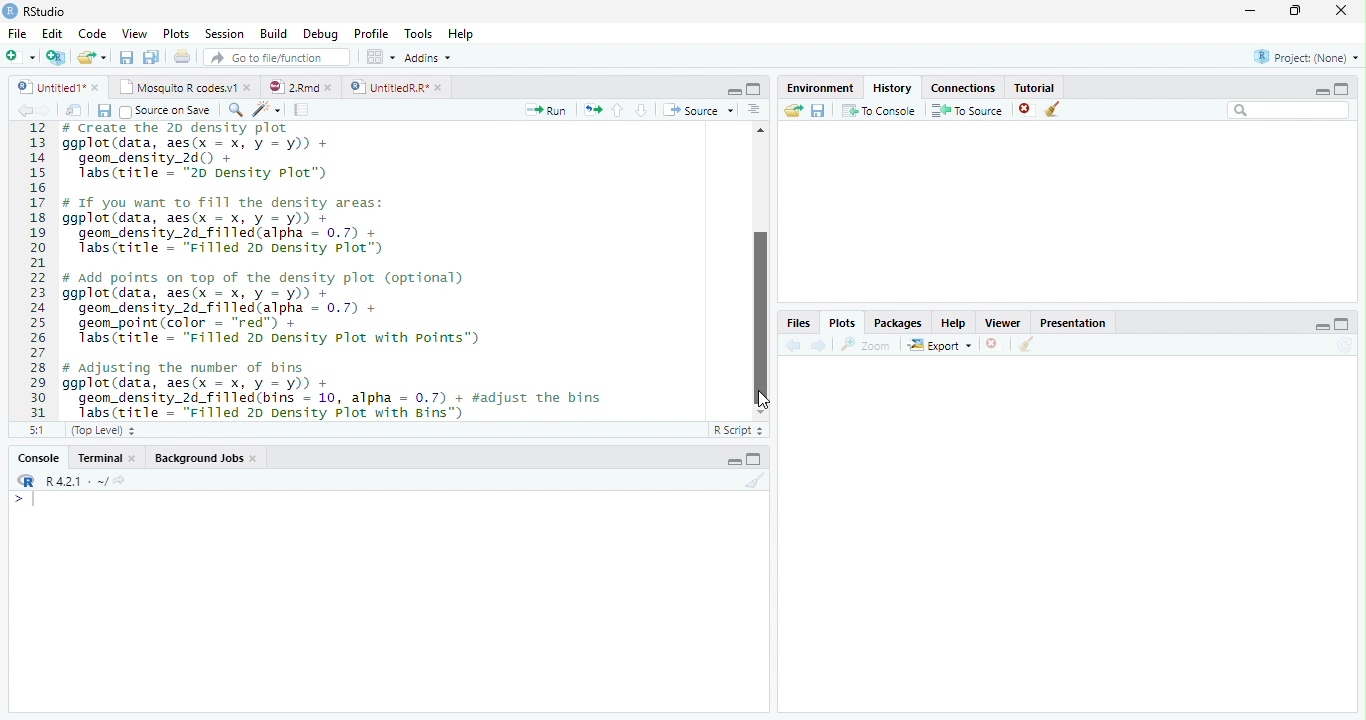 The height and width of the screenshot is (720, 1366). I want to click on re-run the previous code, so click(592, 109).